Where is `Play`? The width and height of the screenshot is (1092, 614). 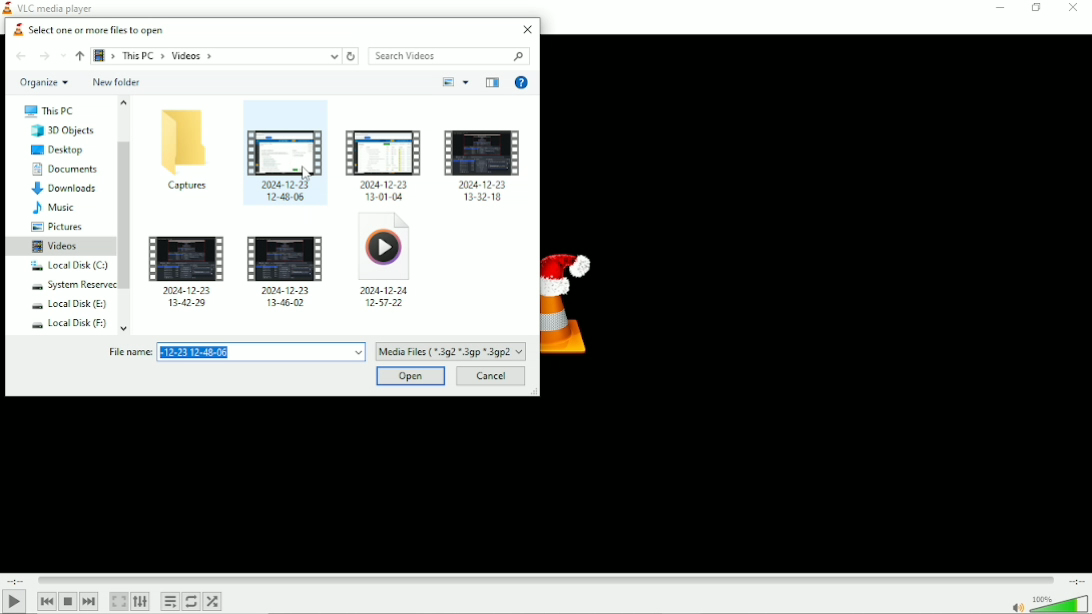
Play is located at coordinates (15, 602).